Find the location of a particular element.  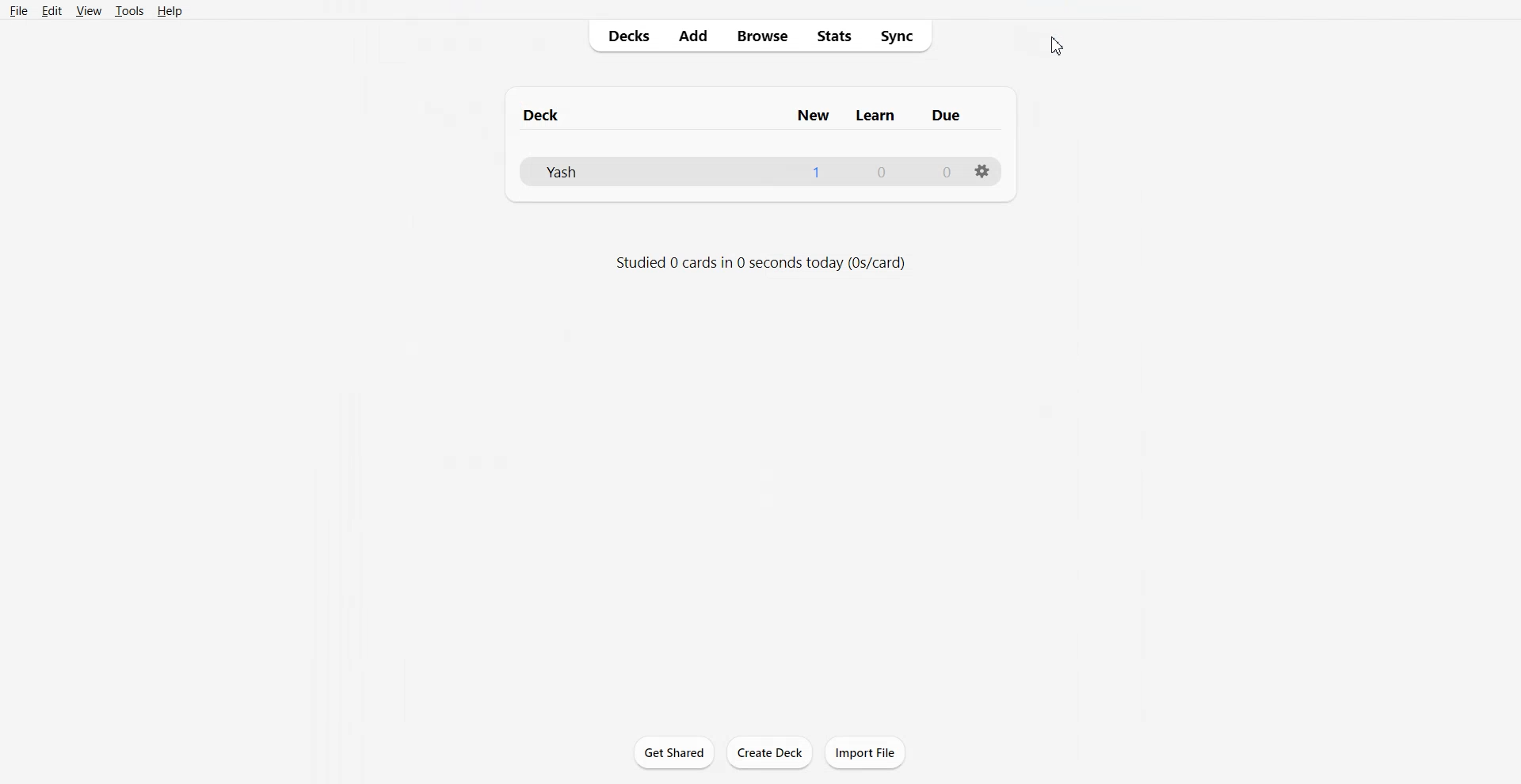

Settings is located at coordinates (987, 177).